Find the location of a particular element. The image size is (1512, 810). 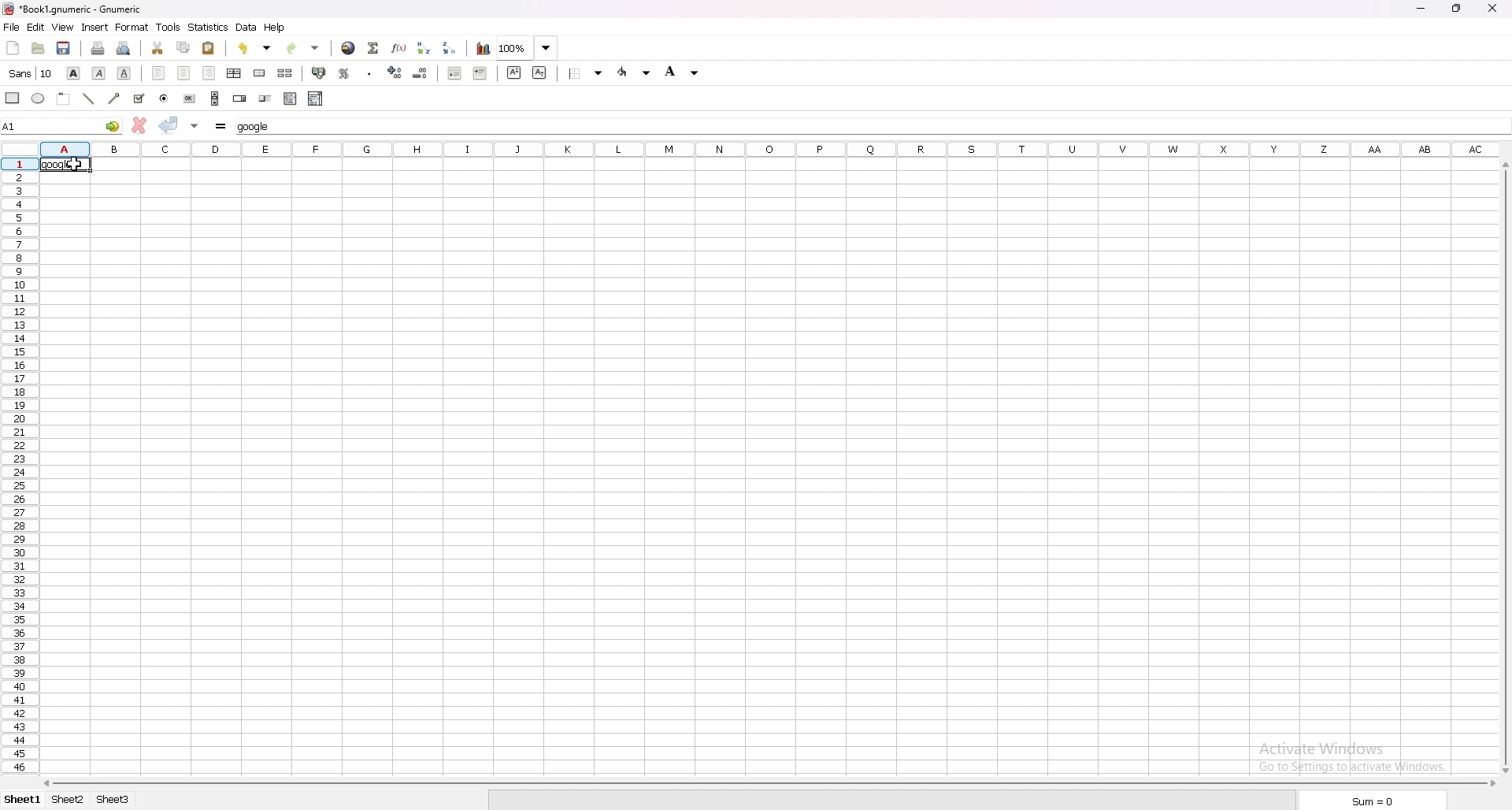

arrowed line is located at coordinates (115, 98).